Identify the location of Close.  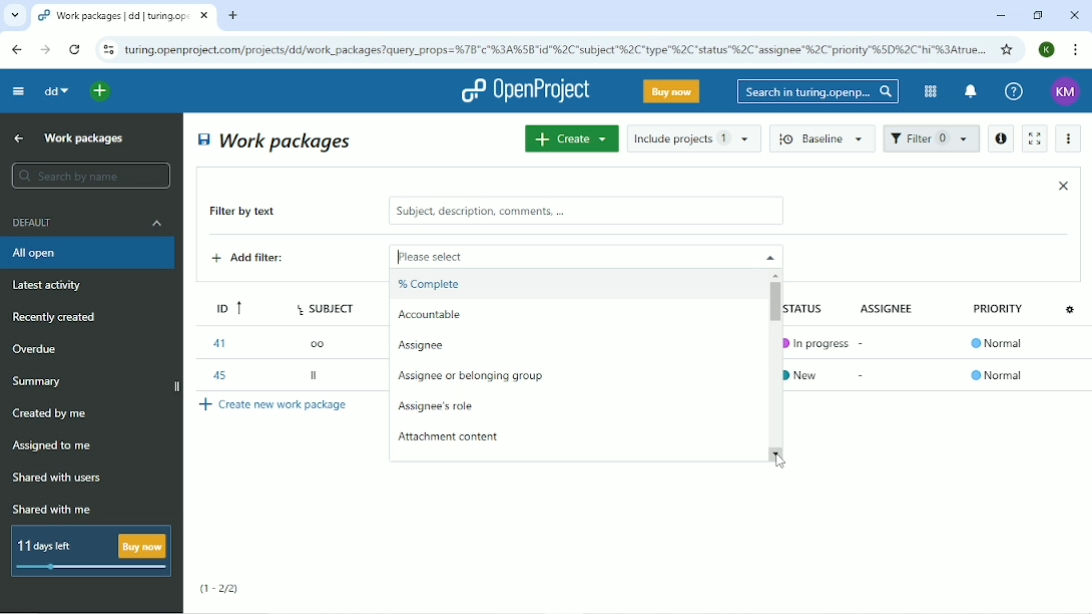
(1063, 185).